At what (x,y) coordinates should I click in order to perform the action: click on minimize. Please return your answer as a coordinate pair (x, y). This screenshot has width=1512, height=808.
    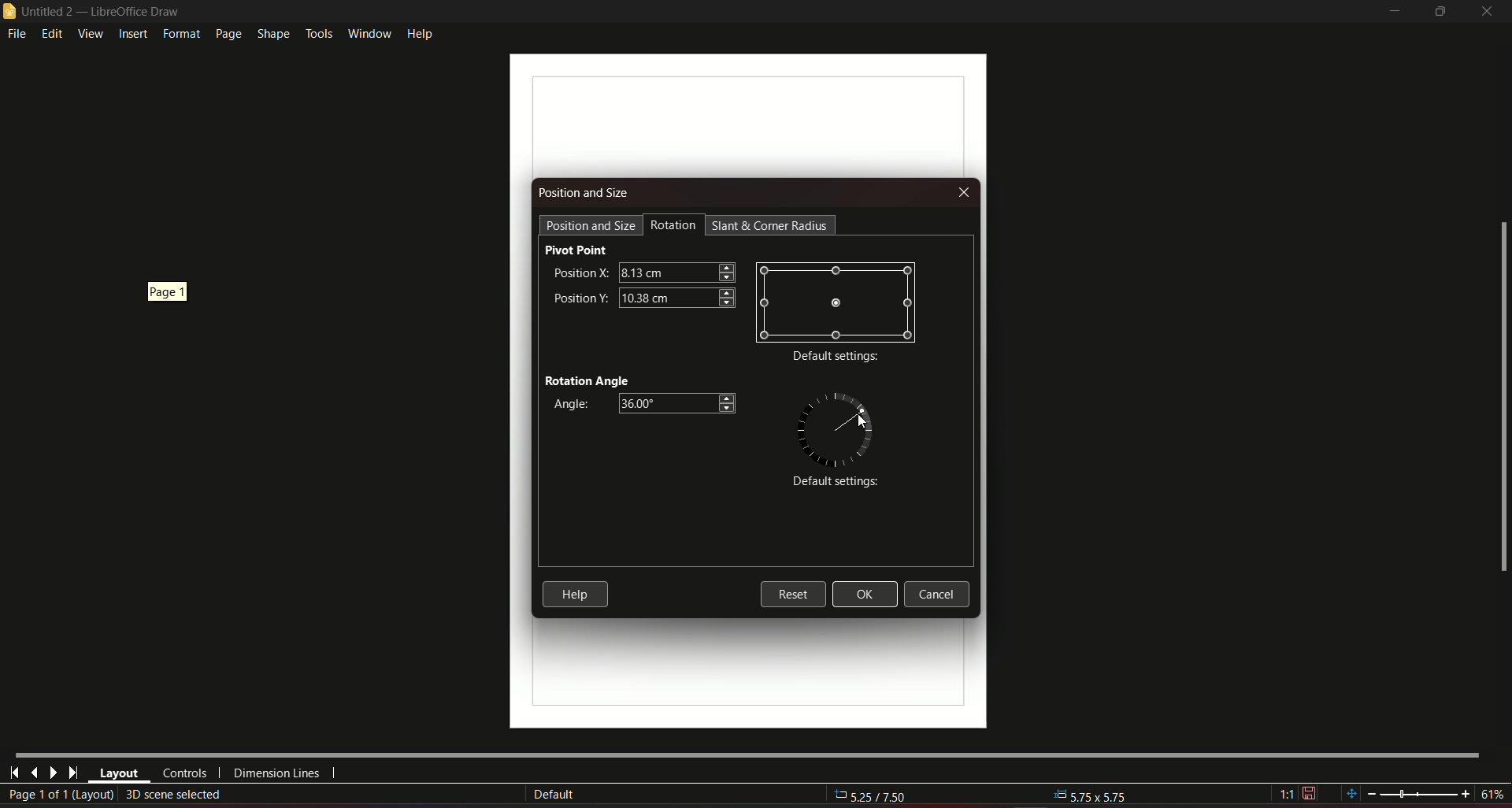
    Looking at the image, I should click on (1392, 12).